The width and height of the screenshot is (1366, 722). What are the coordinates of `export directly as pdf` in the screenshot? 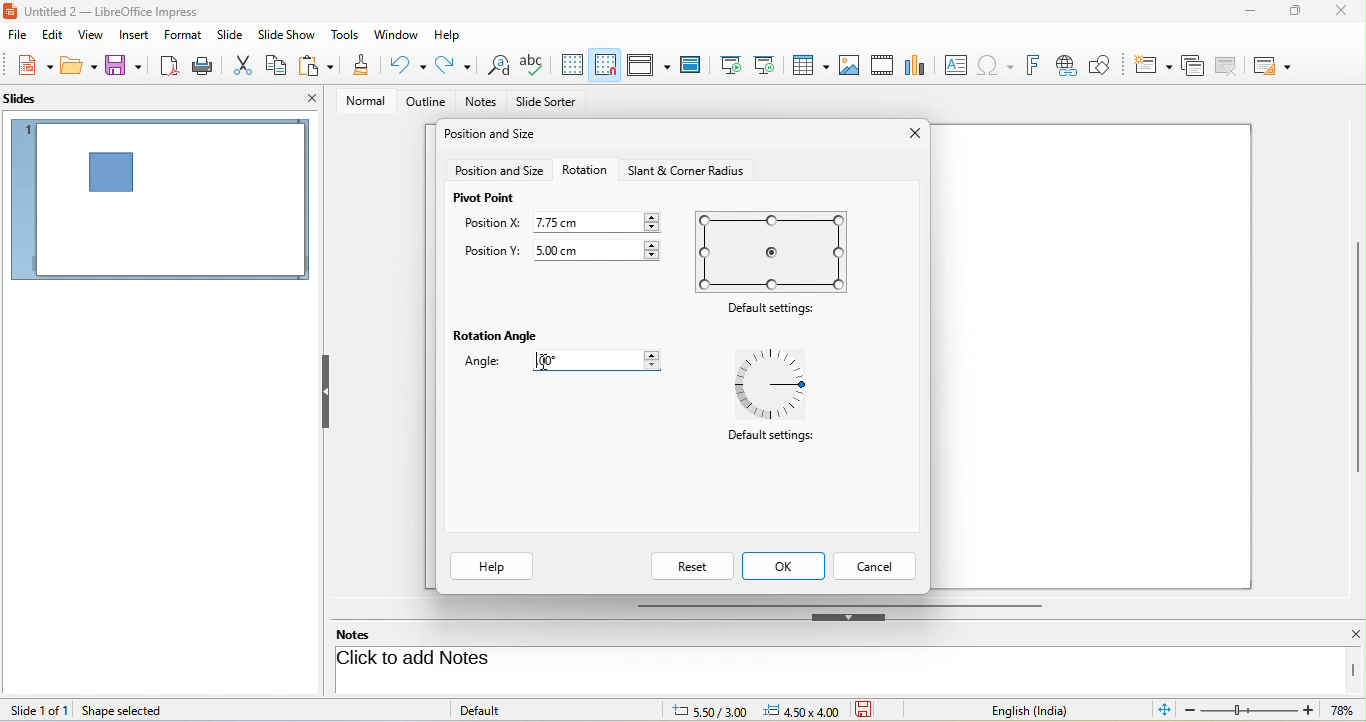 It's located at (171, 66).